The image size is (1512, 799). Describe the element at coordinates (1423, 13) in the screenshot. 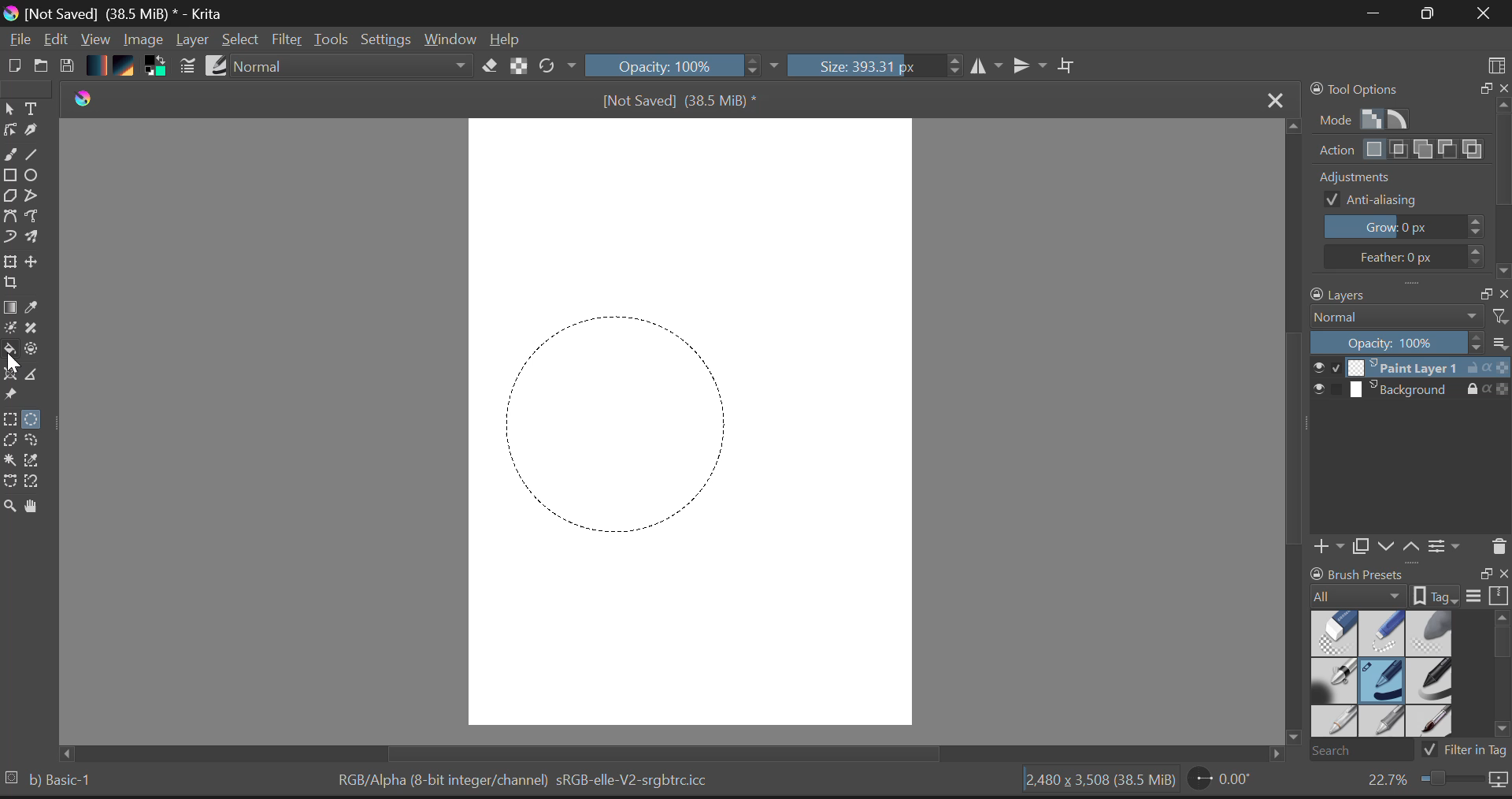

I see `Minimize` at that location.